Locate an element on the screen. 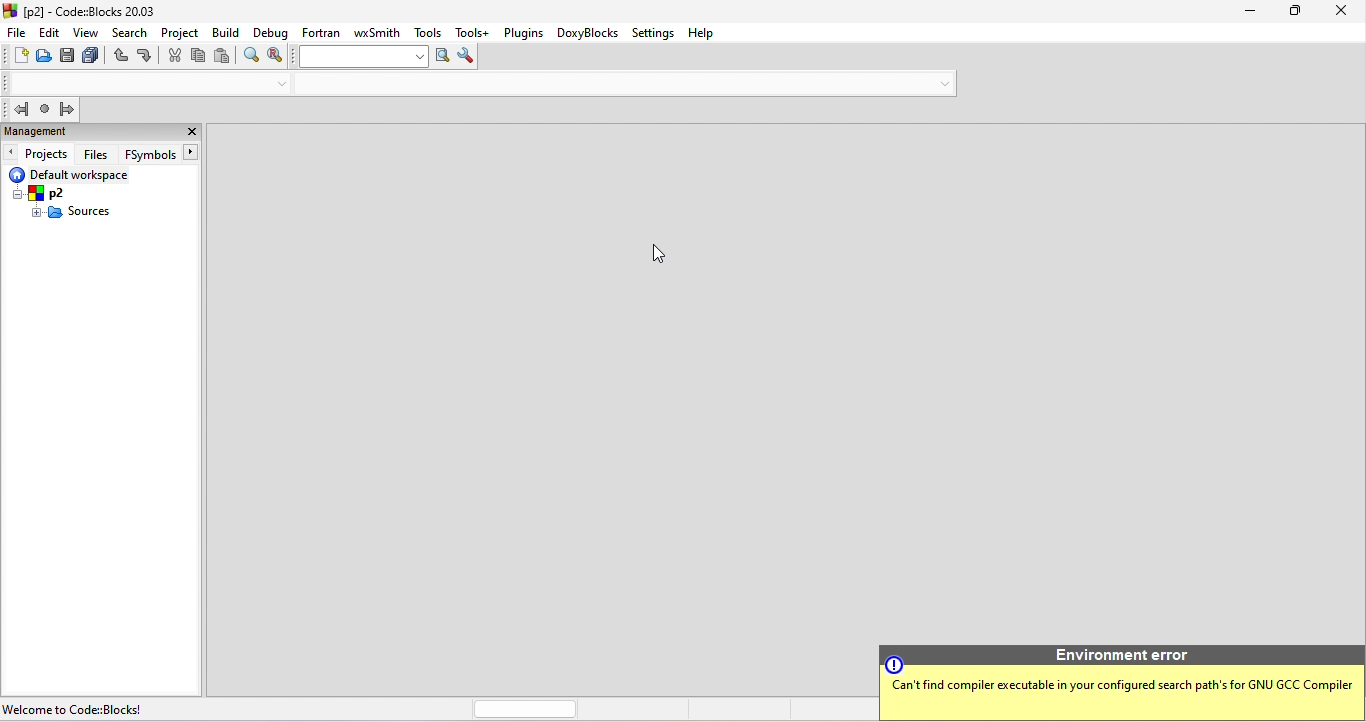 The height and width of the screenshot is (722, 1366). title is located at coordinates (98, 11).